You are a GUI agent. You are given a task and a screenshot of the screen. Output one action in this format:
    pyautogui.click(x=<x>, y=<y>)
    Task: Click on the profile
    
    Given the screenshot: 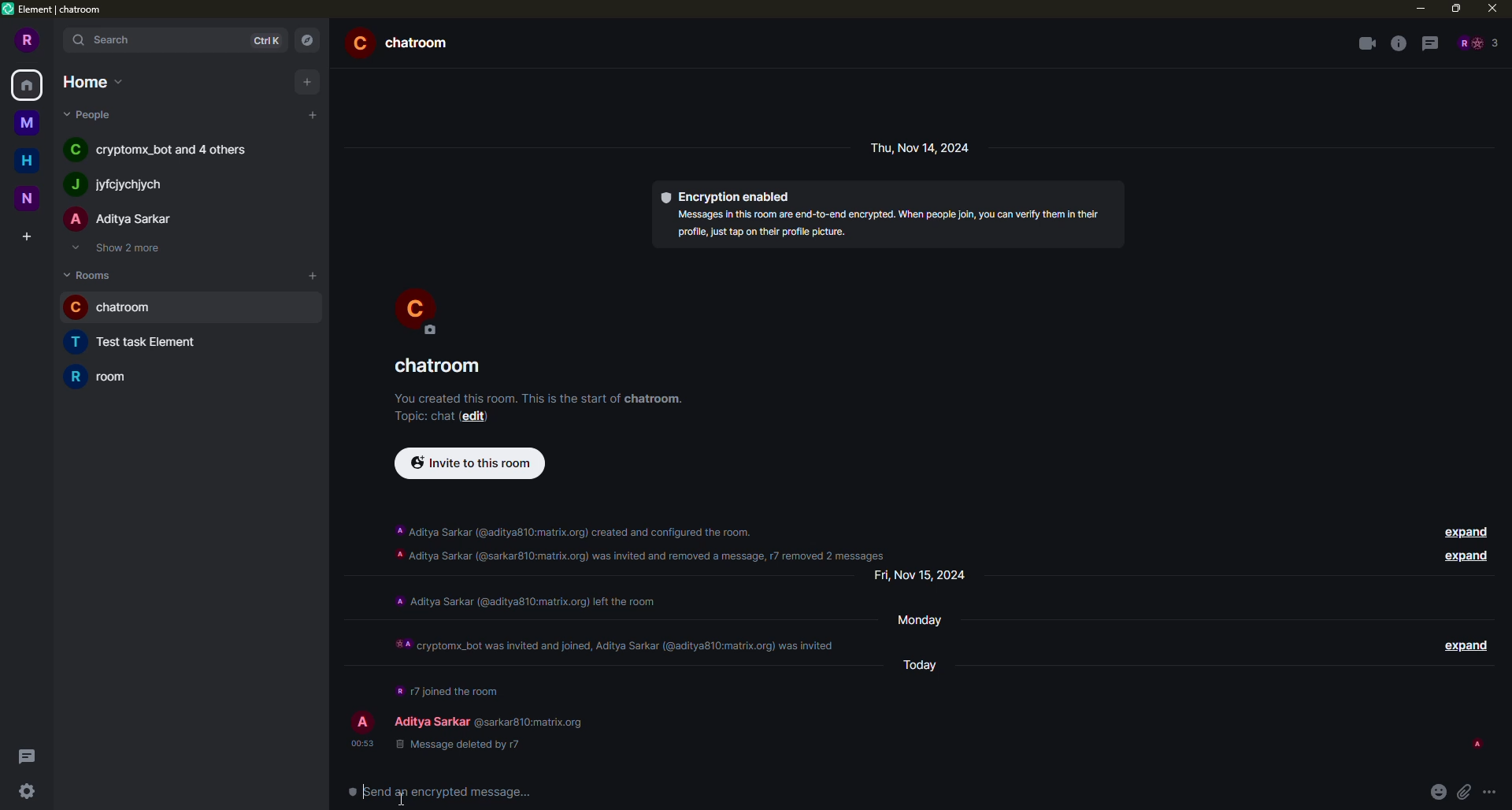 What is the action you would take?
    pyautogui.click(x=417, y=309)
    